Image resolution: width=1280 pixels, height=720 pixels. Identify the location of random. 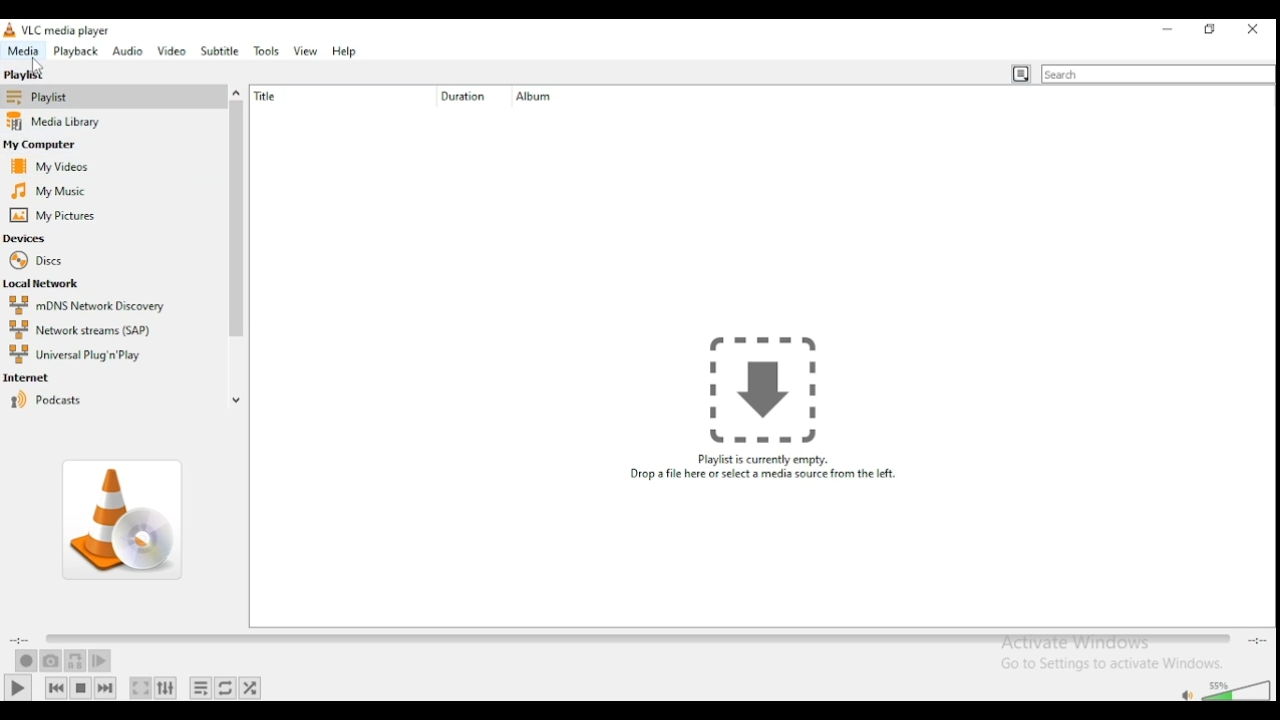
(250, 687).